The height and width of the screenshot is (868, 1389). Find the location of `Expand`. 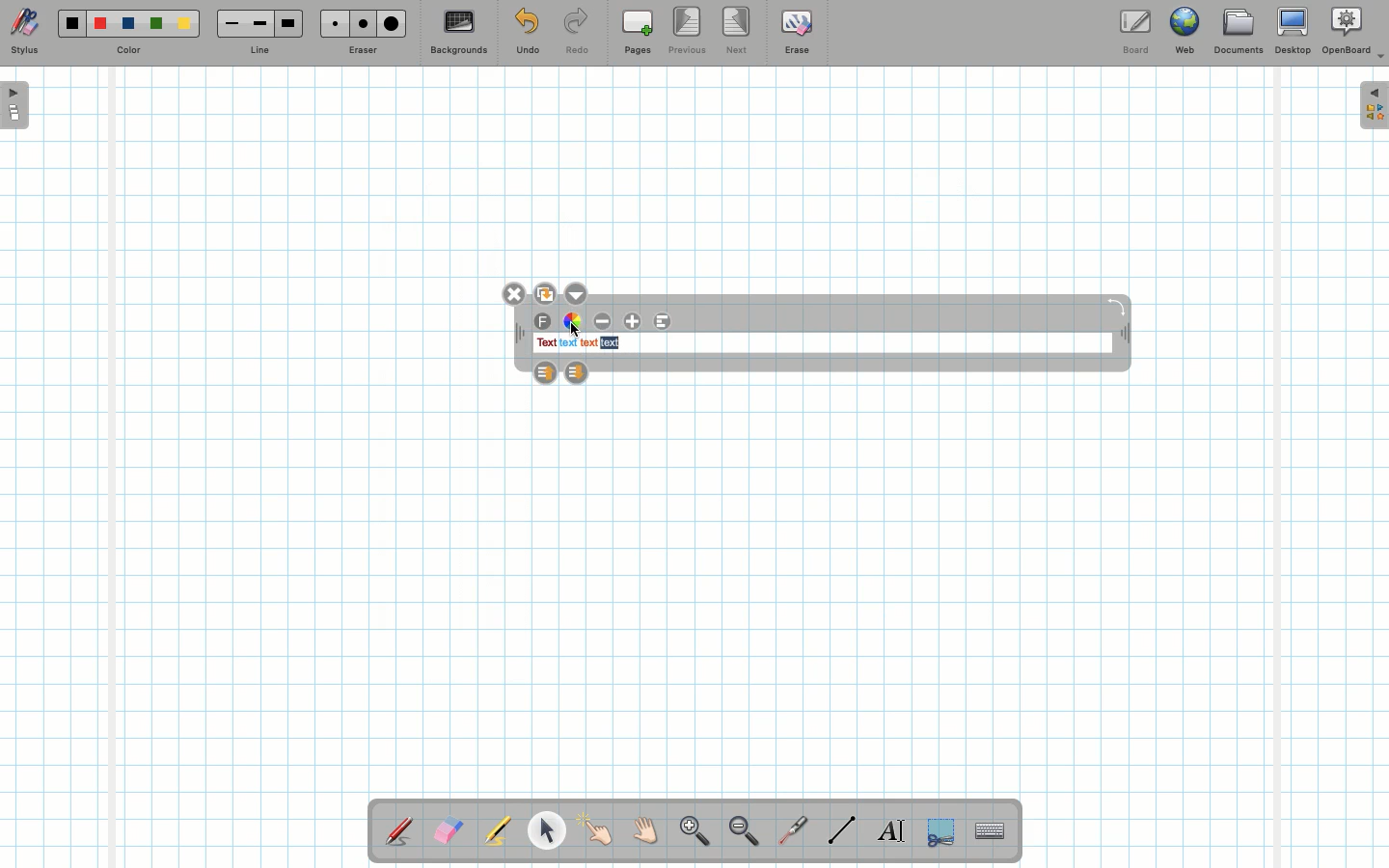

Expand is located at coordinates (1374, 105).